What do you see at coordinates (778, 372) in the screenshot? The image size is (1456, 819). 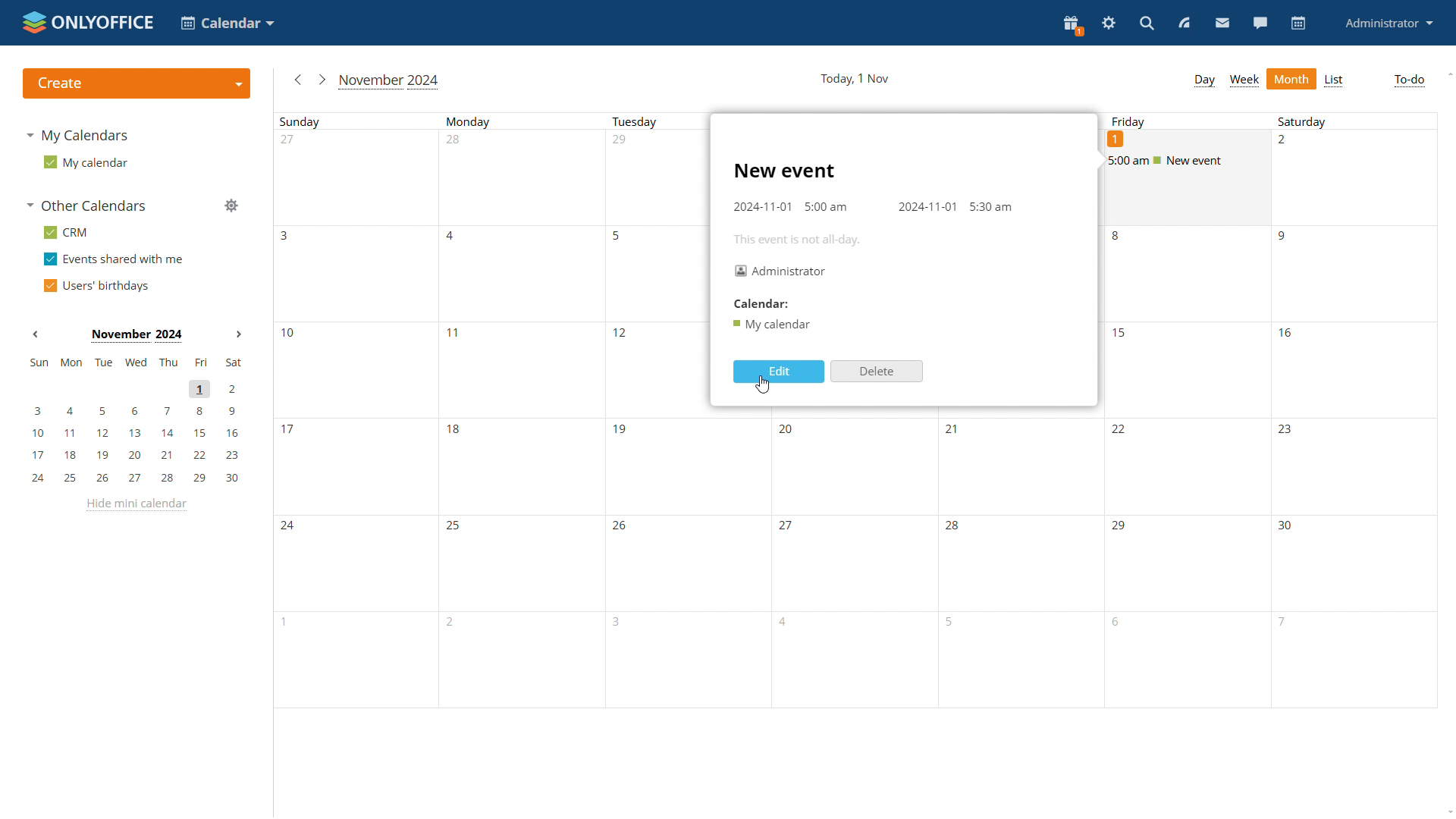 I see `edit` at bounding box center [778, 372].